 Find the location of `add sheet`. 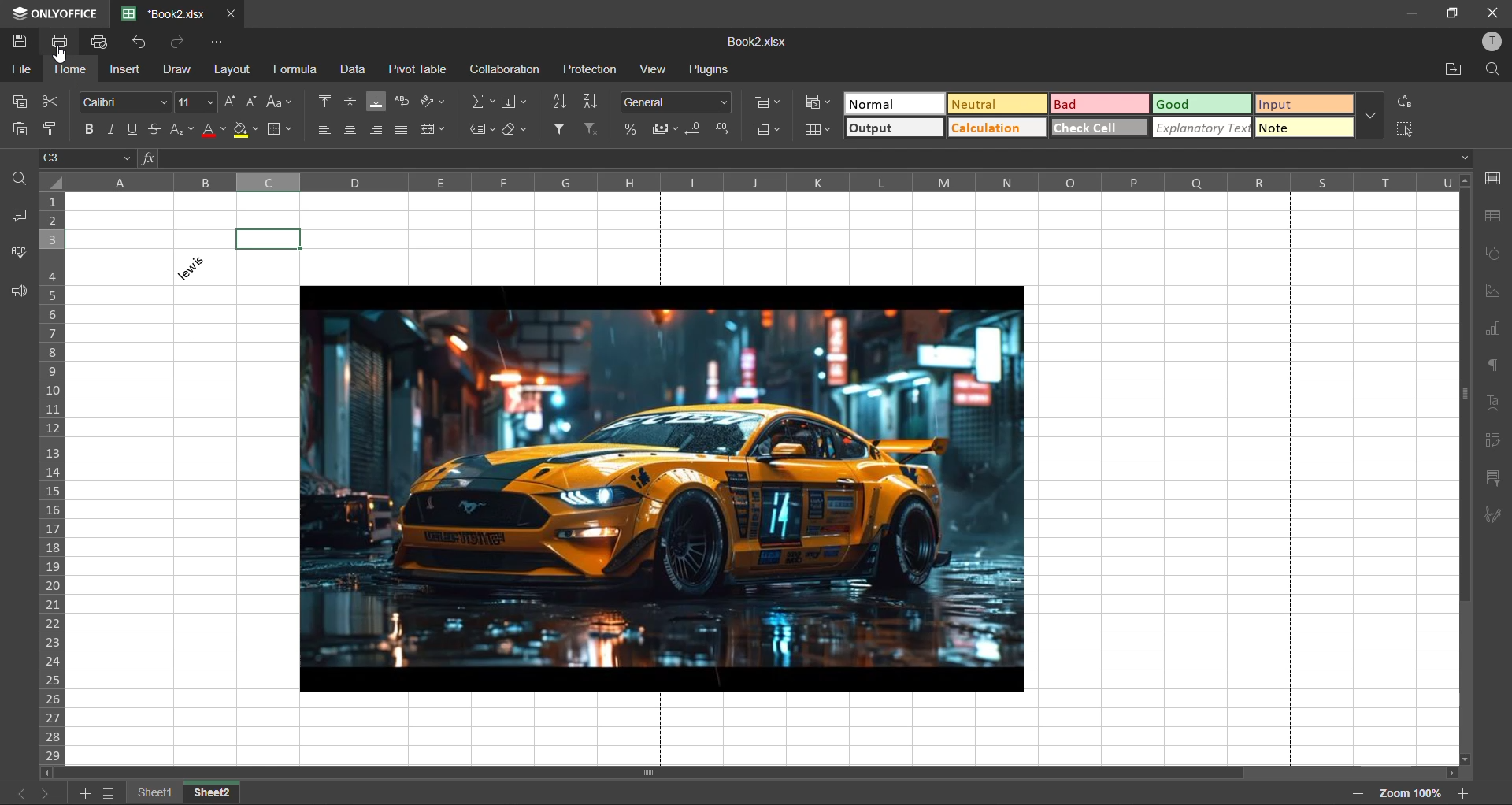

add sheet is located at coordinates (85, 796).